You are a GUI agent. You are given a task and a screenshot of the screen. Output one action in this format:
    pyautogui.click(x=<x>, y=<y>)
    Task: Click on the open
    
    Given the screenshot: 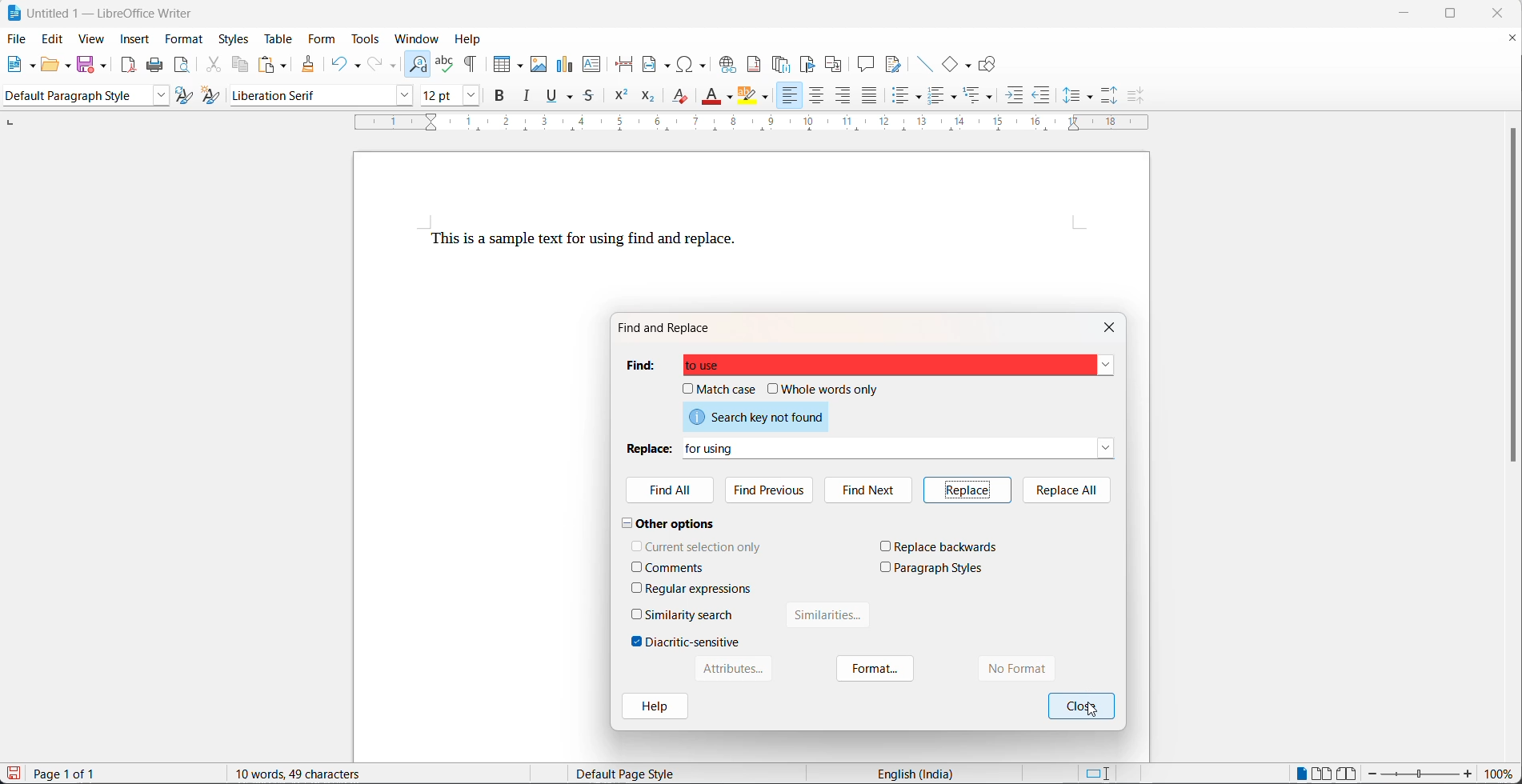 What is the action you would take?
    pyautogui.click(x=50, y=66)
    